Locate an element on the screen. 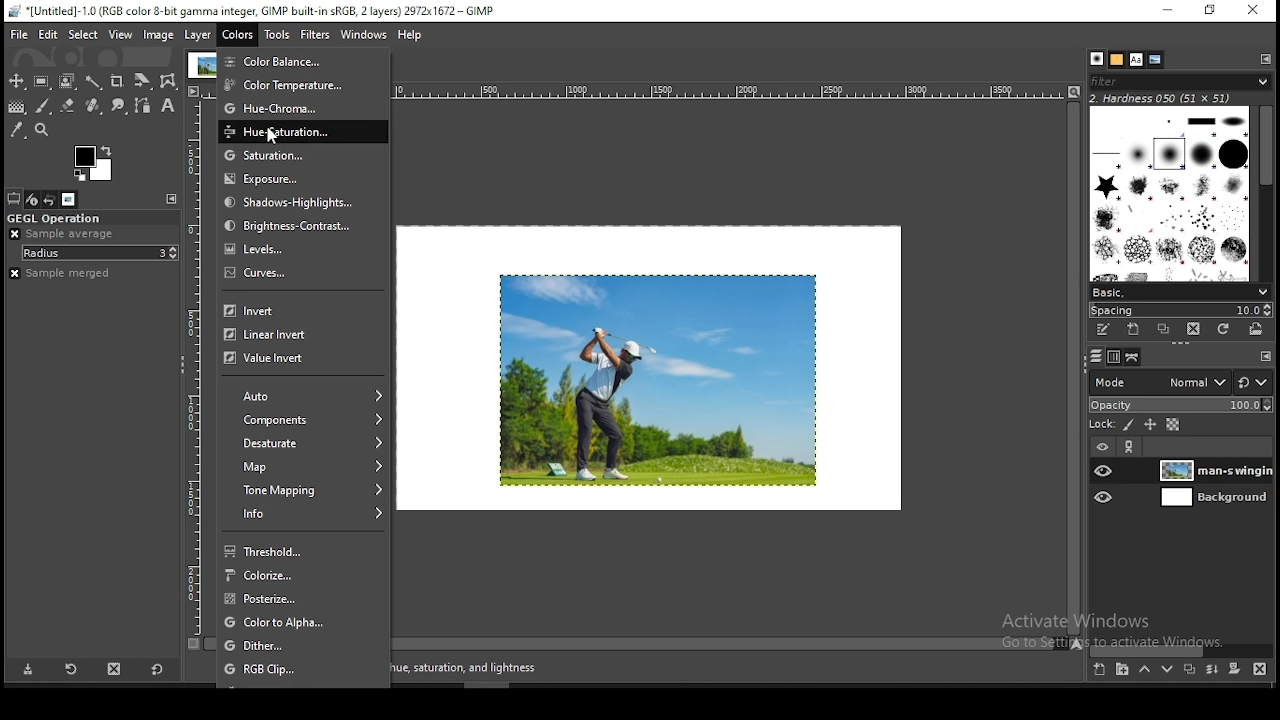 This screenshot has width=1280, height=720. scroll bar is located at coordinates (635, 644).